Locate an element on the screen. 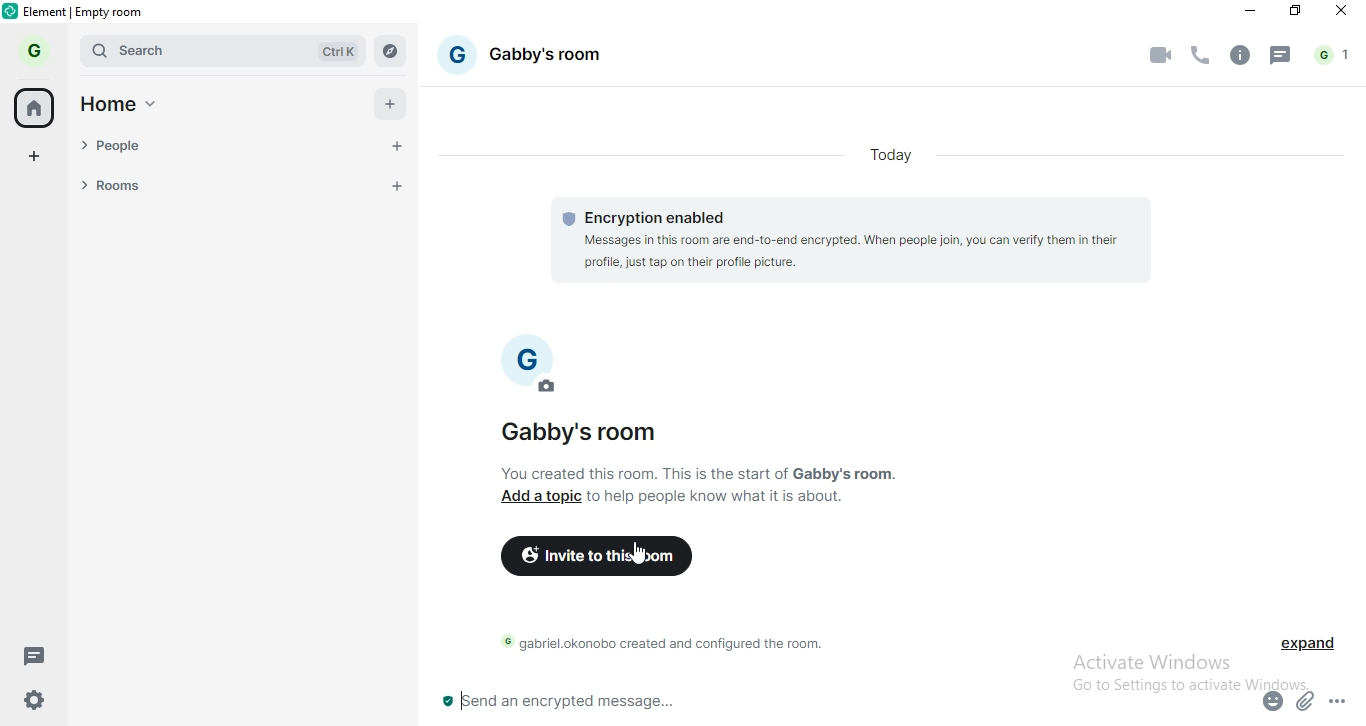 This screenshot has height=726, width=1366. add space is located at coordinates (36, 153).